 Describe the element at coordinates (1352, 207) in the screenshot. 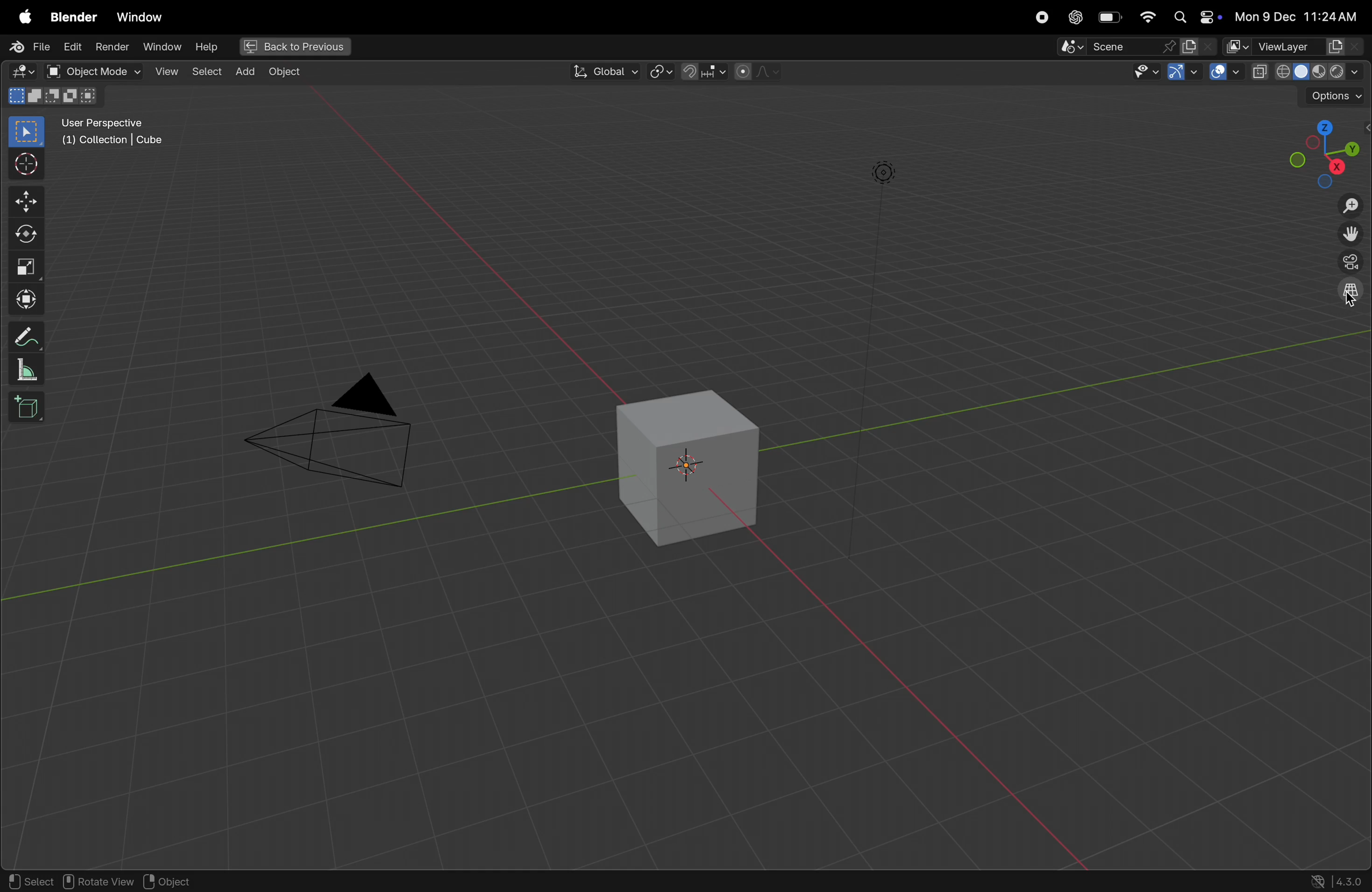

I see `zoom out` at that location.